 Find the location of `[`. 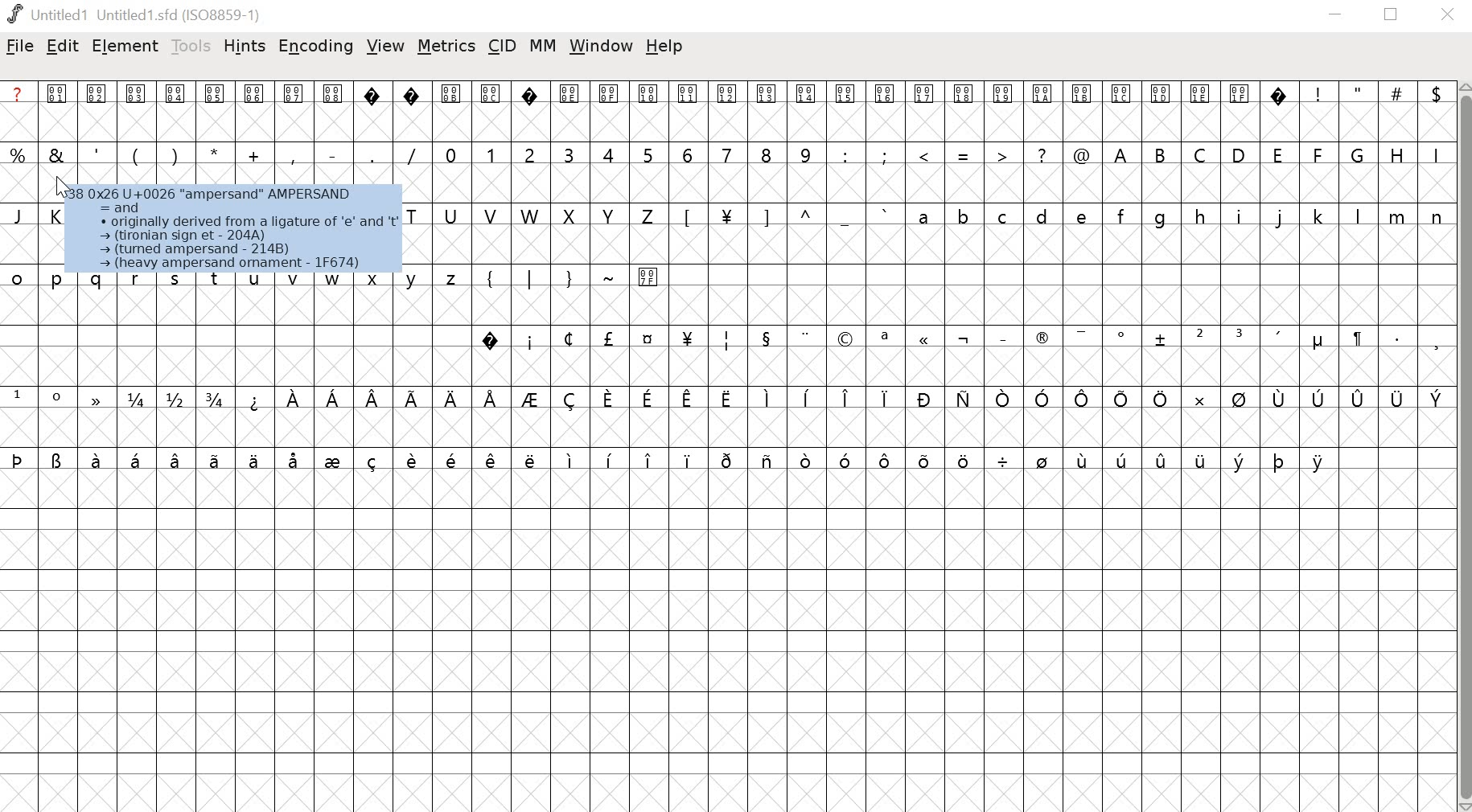

[ is located at coordinates (687, 215).